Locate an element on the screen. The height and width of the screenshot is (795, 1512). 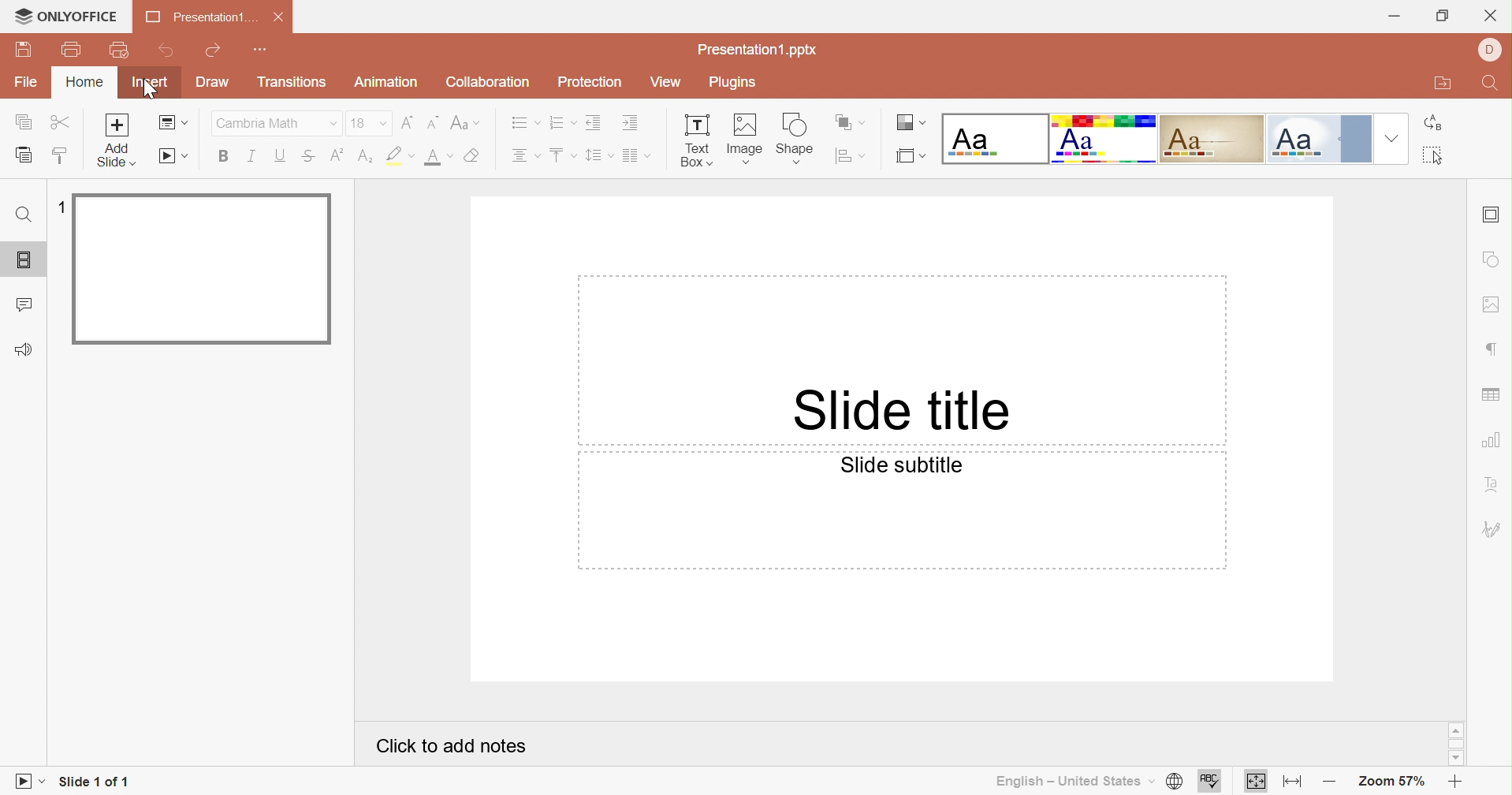
Drop Down is located at coordinates (334, 126).